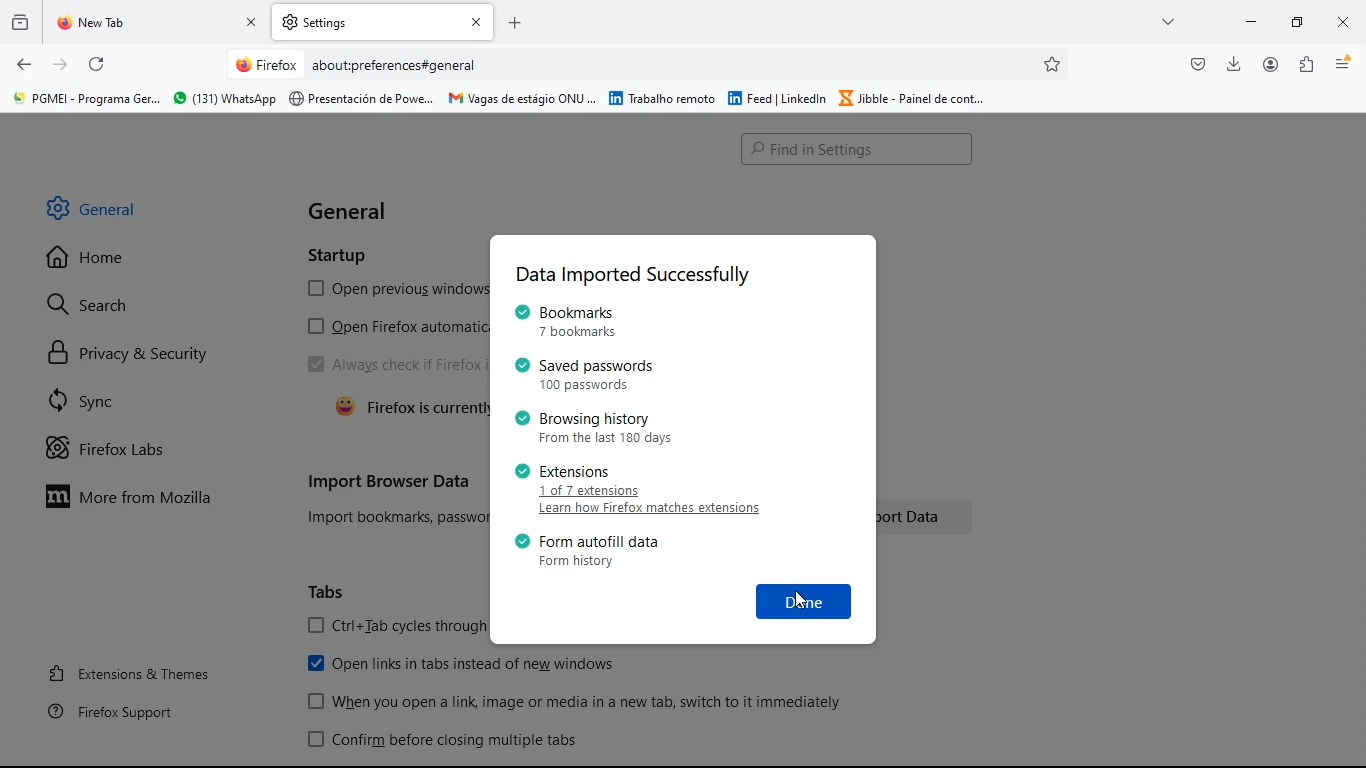 This screenshot has width=1366, height=768. I want to click on general, so click(111, 207).